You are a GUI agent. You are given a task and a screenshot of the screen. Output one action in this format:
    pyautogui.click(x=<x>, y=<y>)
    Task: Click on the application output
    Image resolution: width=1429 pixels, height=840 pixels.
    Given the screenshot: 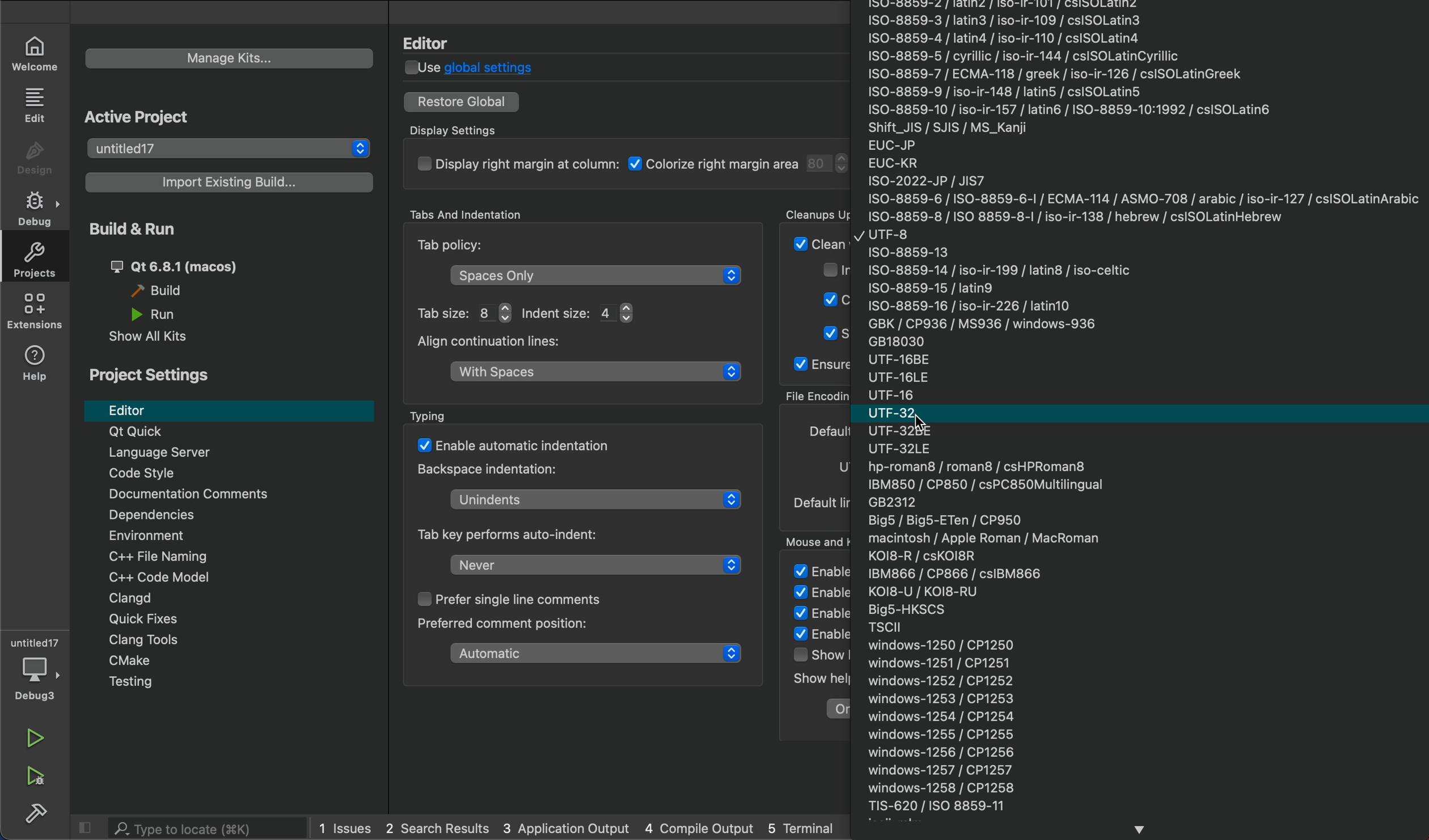 What is the action you would take?
    pyautogui.click(x=566, y=826)
    